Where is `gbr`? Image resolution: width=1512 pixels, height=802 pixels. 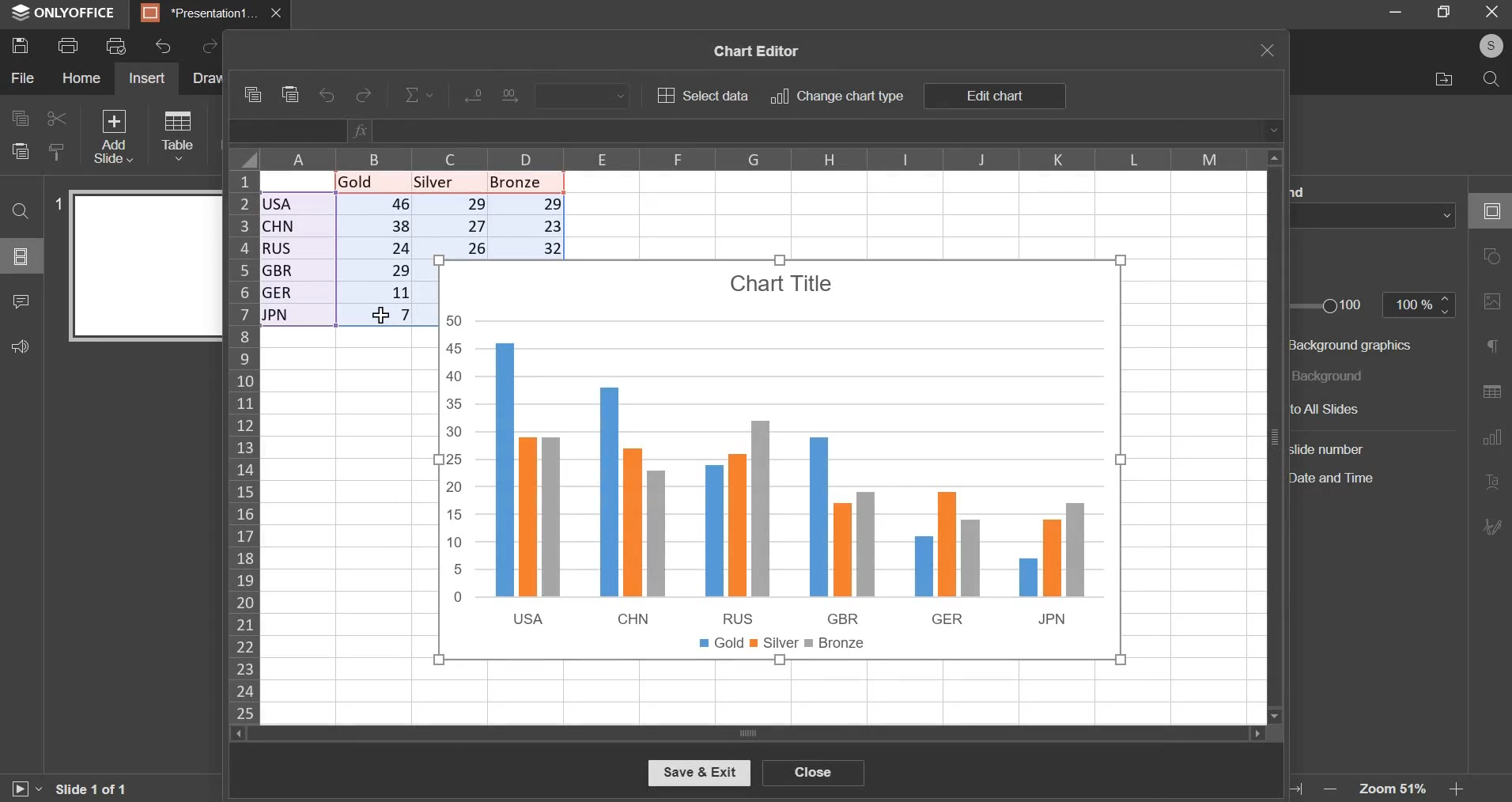 gbr is located at coordinates (297, 271).